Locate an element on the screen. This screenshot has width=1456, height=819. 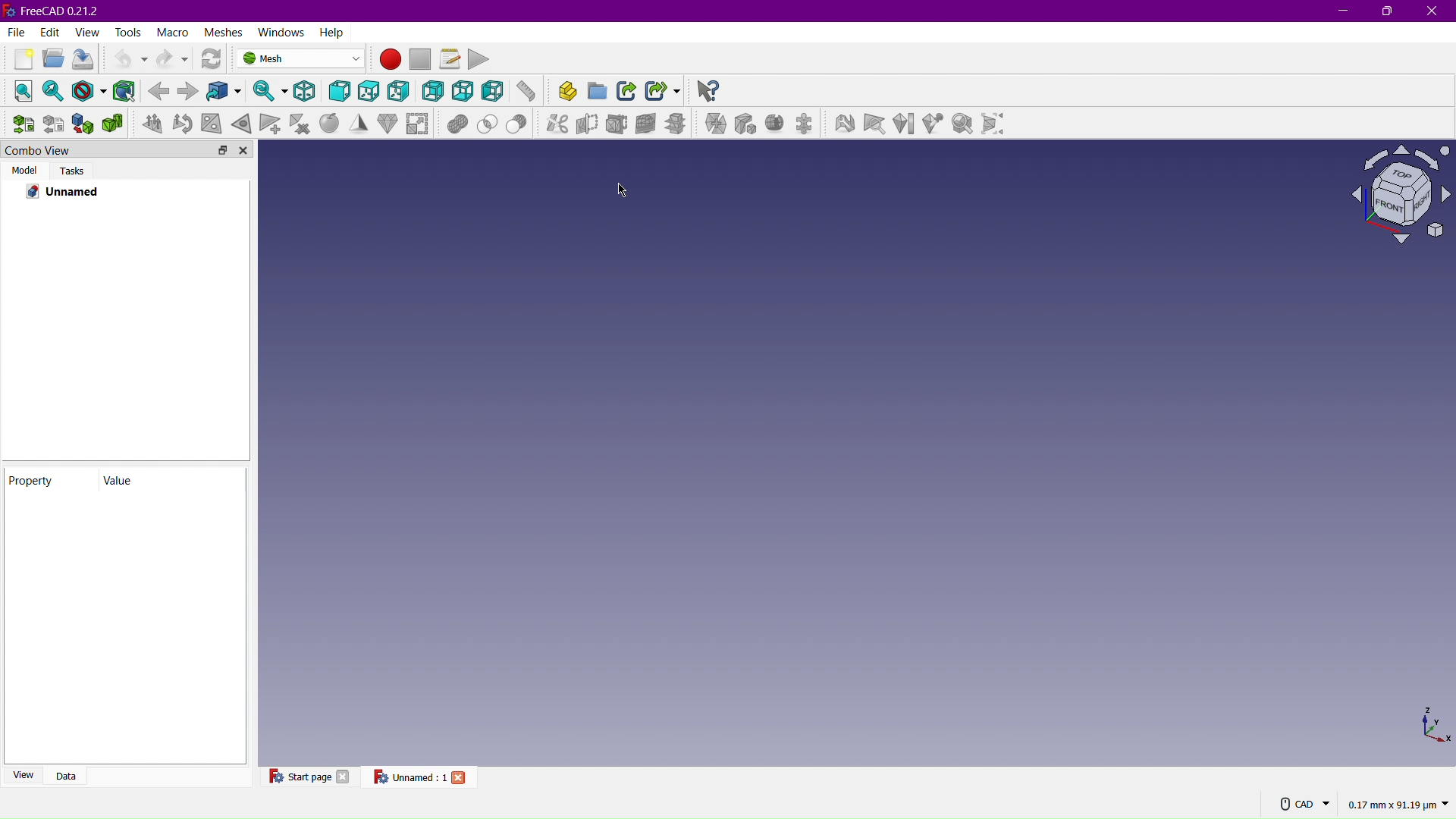
Smooth is located at coordinates (327, 124).